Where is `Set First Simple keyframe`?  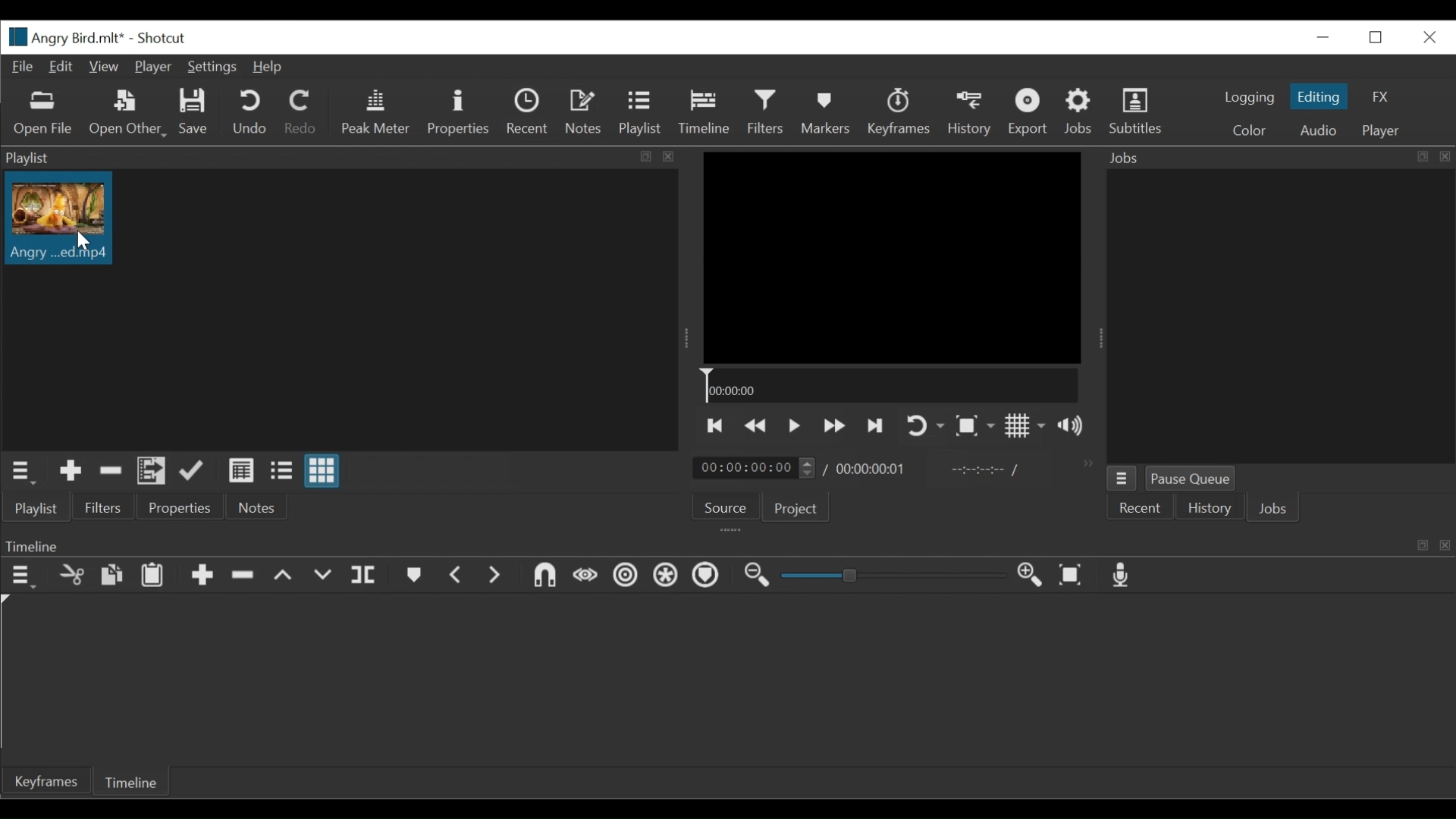 Set First Simple keyframe is located at coordinates (582, 576).